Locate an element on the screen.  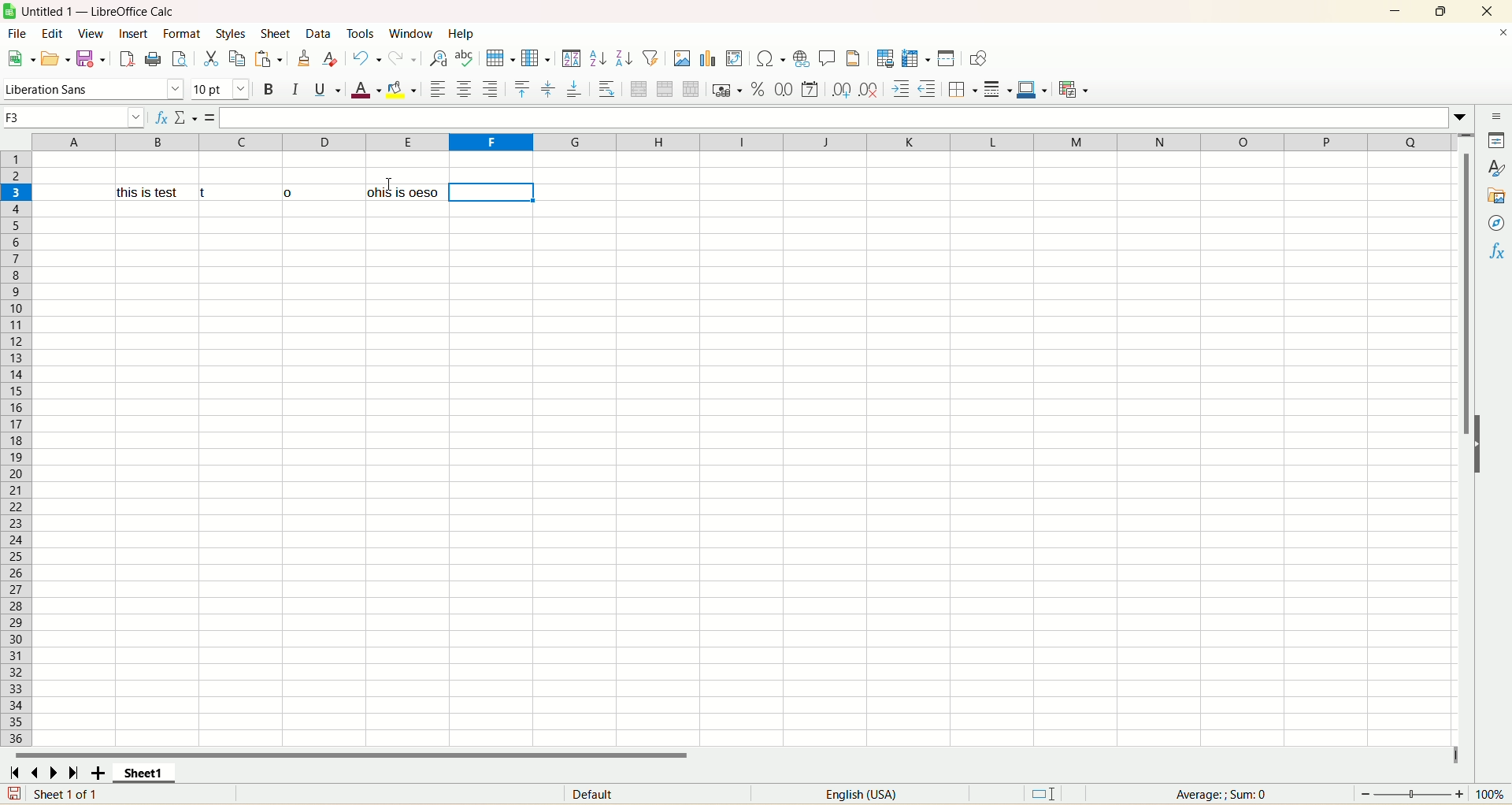
ohis is oeso is located at coordinates (405, 191).